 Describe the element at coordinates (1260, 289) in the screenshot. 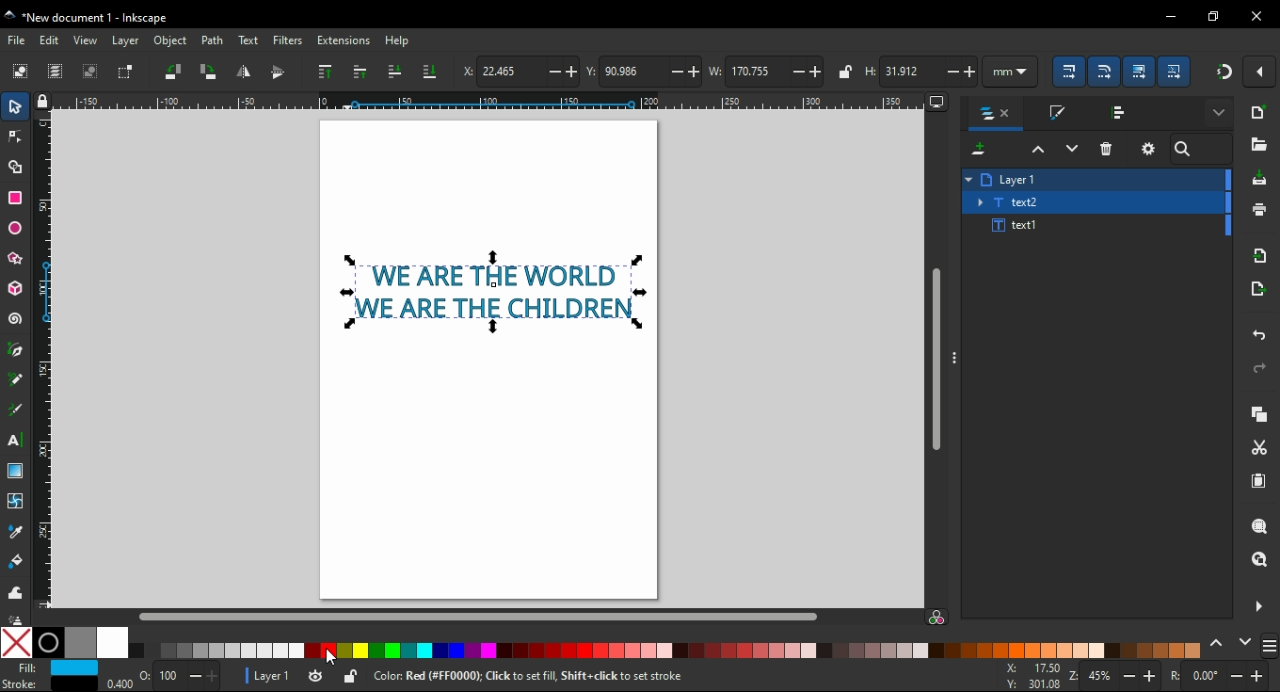

I see `open export` at that location.